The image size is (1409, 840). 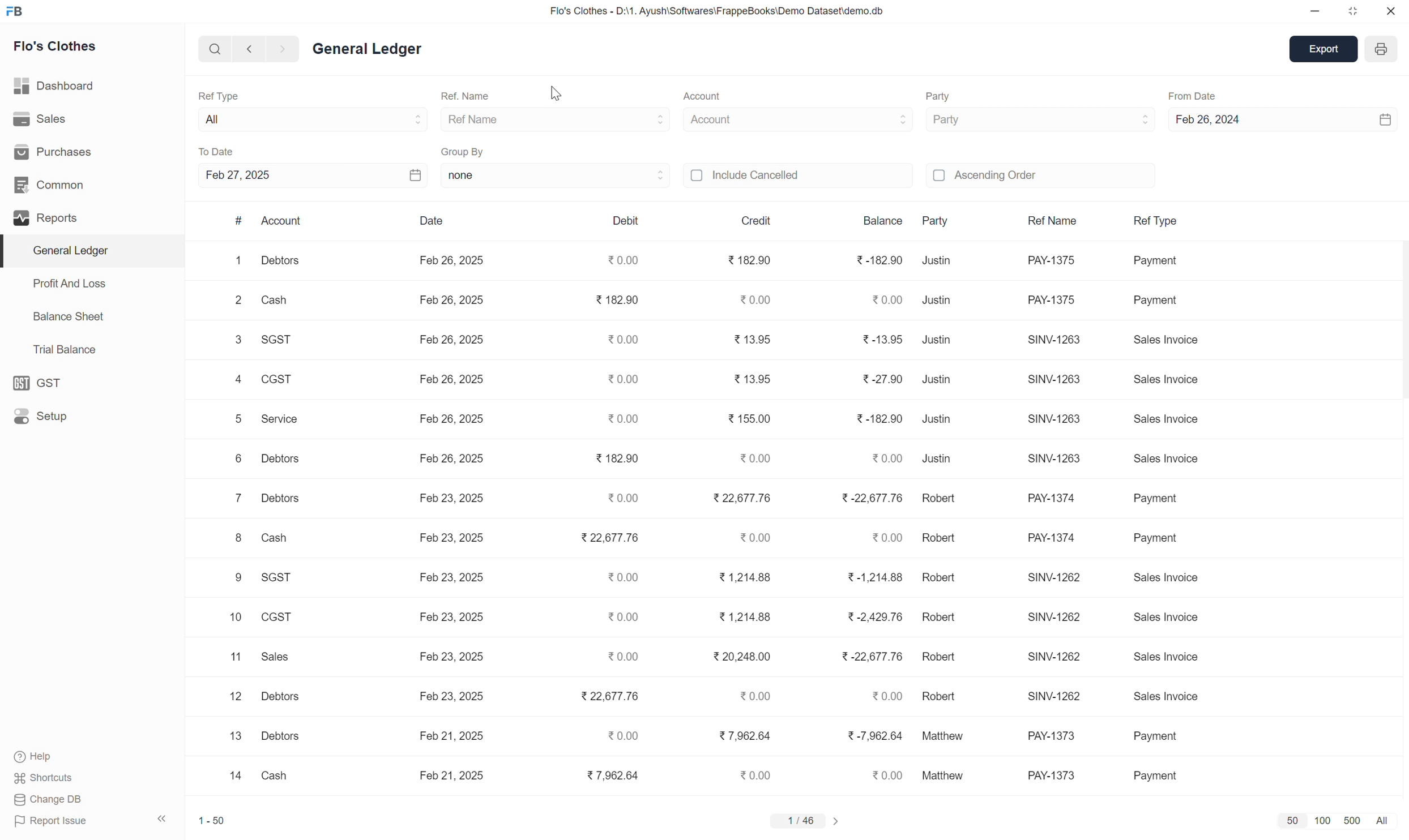 What do you see at coordinates (748, 736) in the screenshot?
I see `7,962.64` at bounding box center [748, 736].